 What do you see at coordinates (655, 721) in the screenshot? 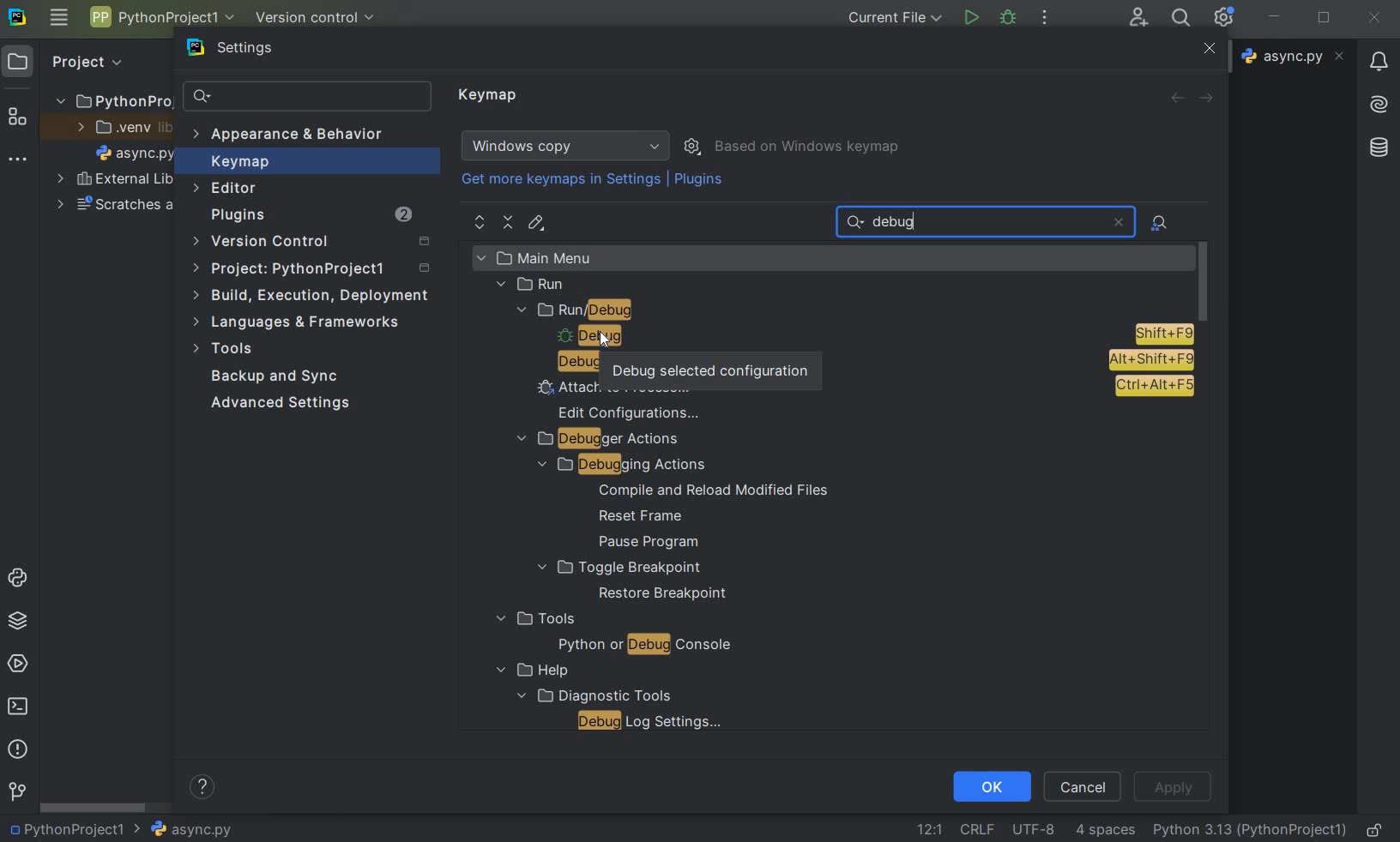
I see `debug log settings` at bounding box center [655, 721].